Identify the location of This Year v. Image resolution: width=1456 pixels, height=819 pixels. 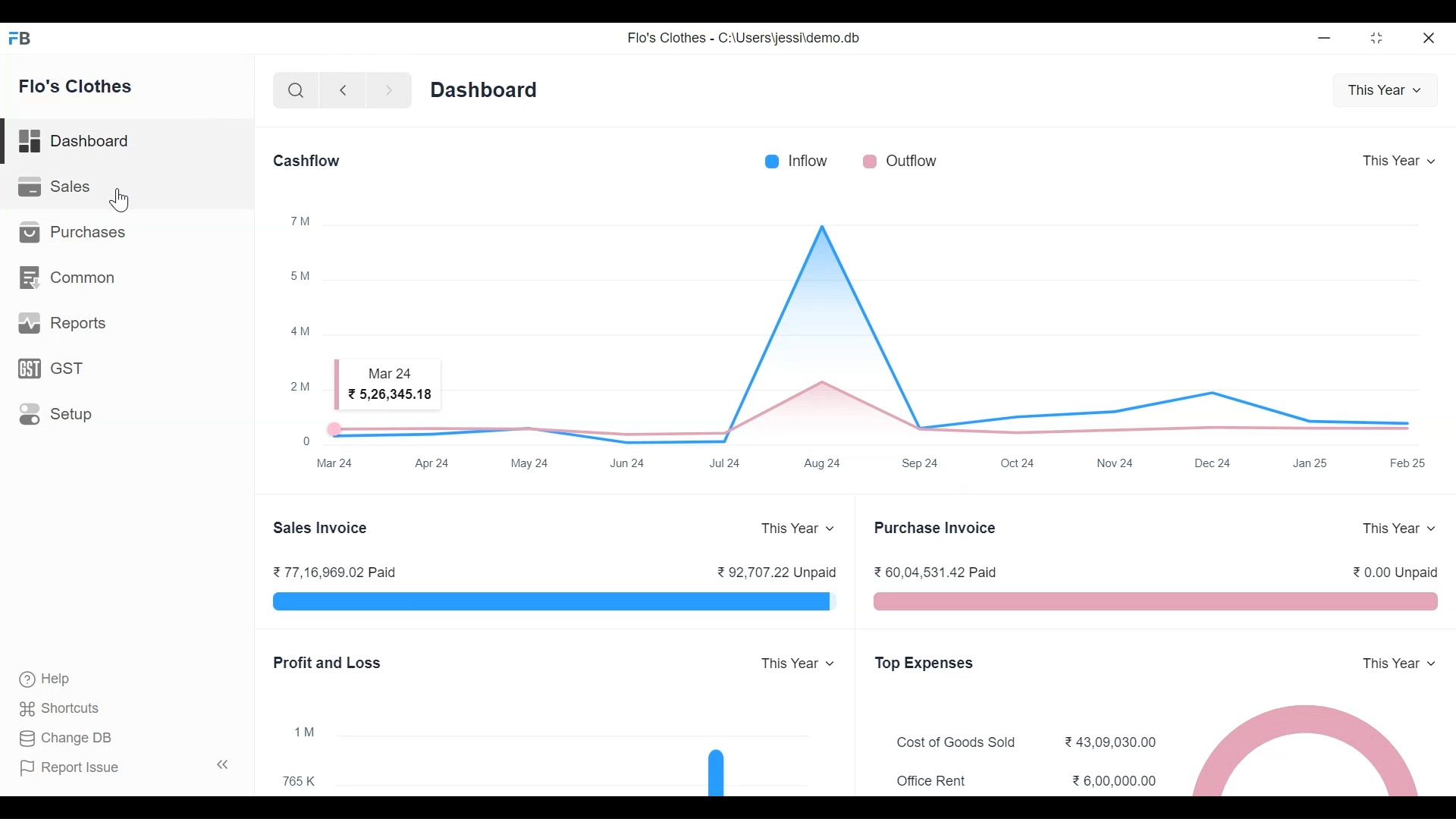
(799, 529).